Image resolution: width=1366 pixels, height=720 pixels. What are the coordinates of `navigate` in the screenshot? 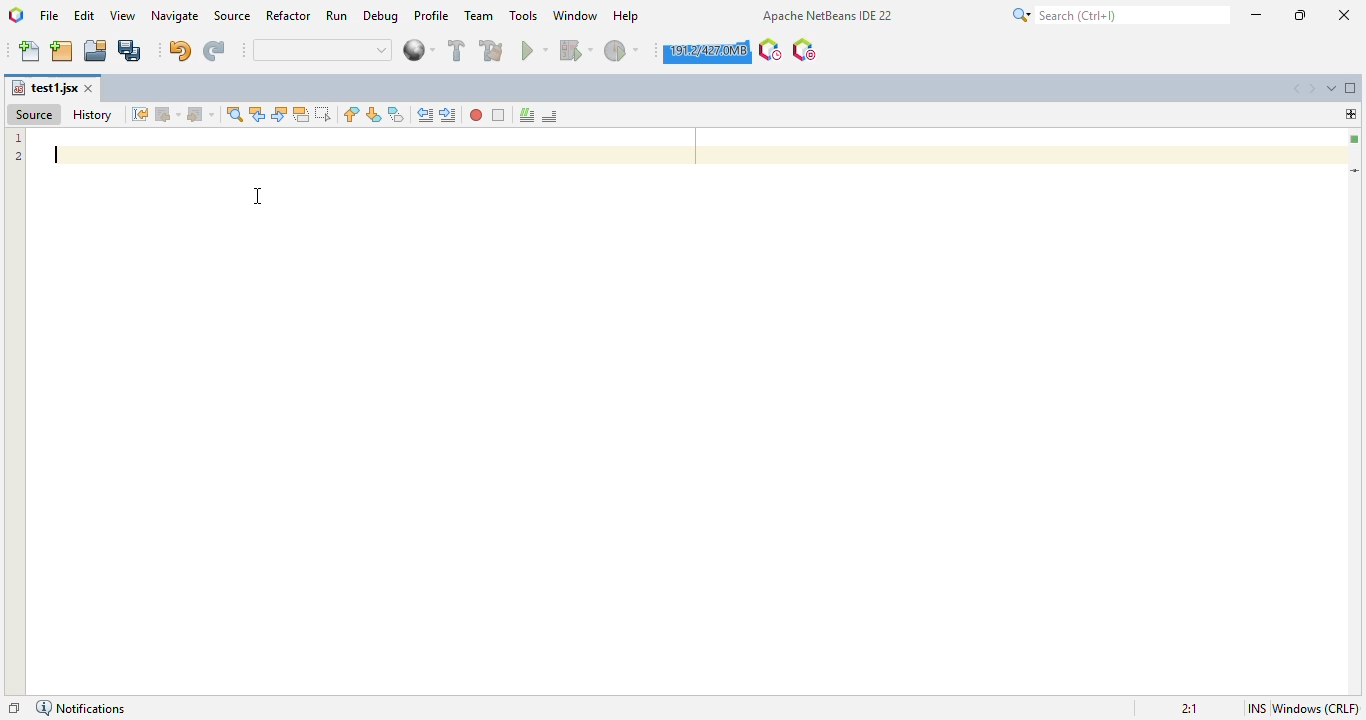 It's located at (176, 16).